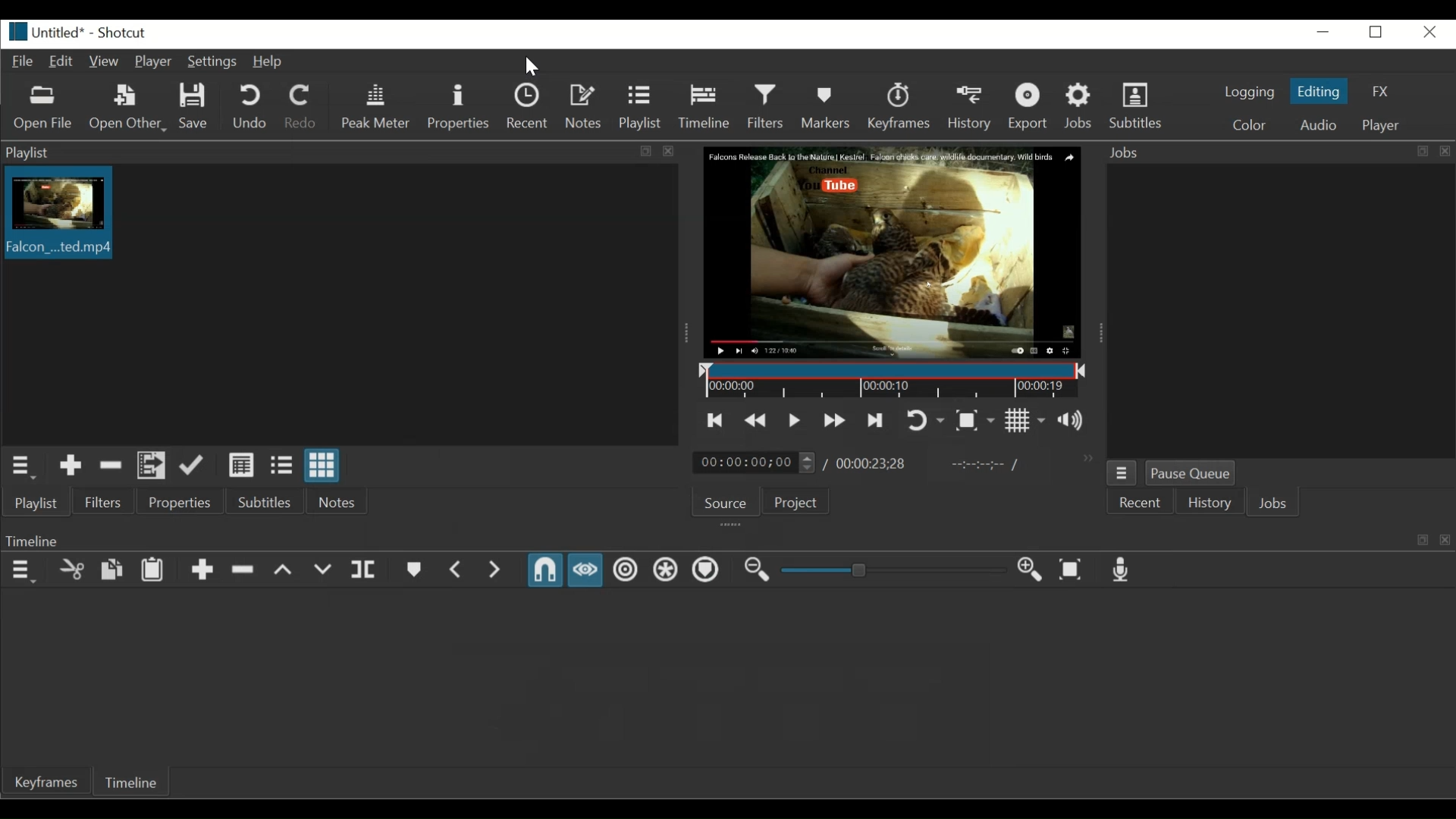 The width and height of the screenshot is (1456, 819). Describe the element at coordinates (925, 419) in the screenshot. I see `Toggle player looping` at that location.